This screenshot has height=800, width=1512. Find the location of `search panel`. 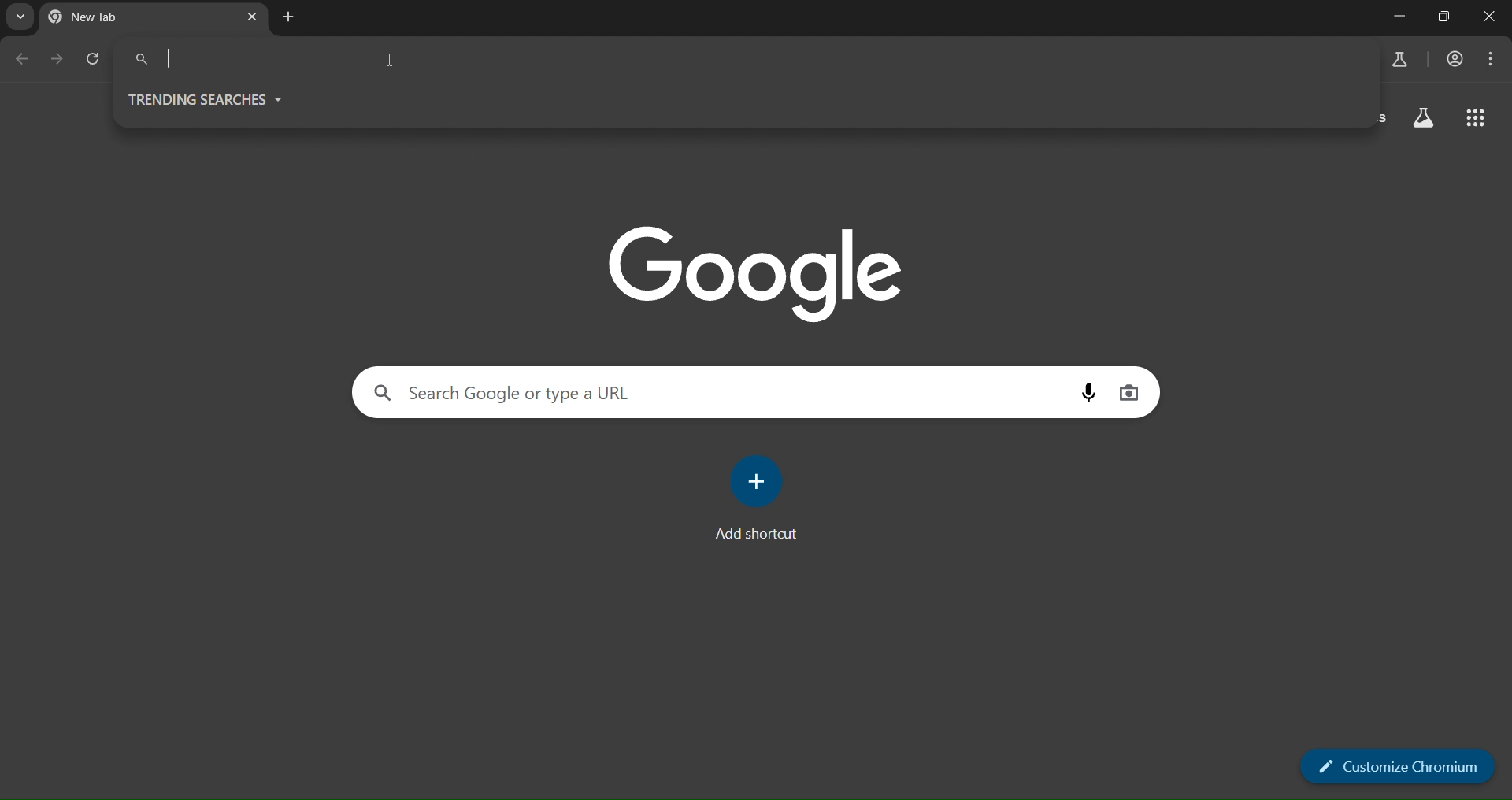

search panel is located at coordinates (247, 57).